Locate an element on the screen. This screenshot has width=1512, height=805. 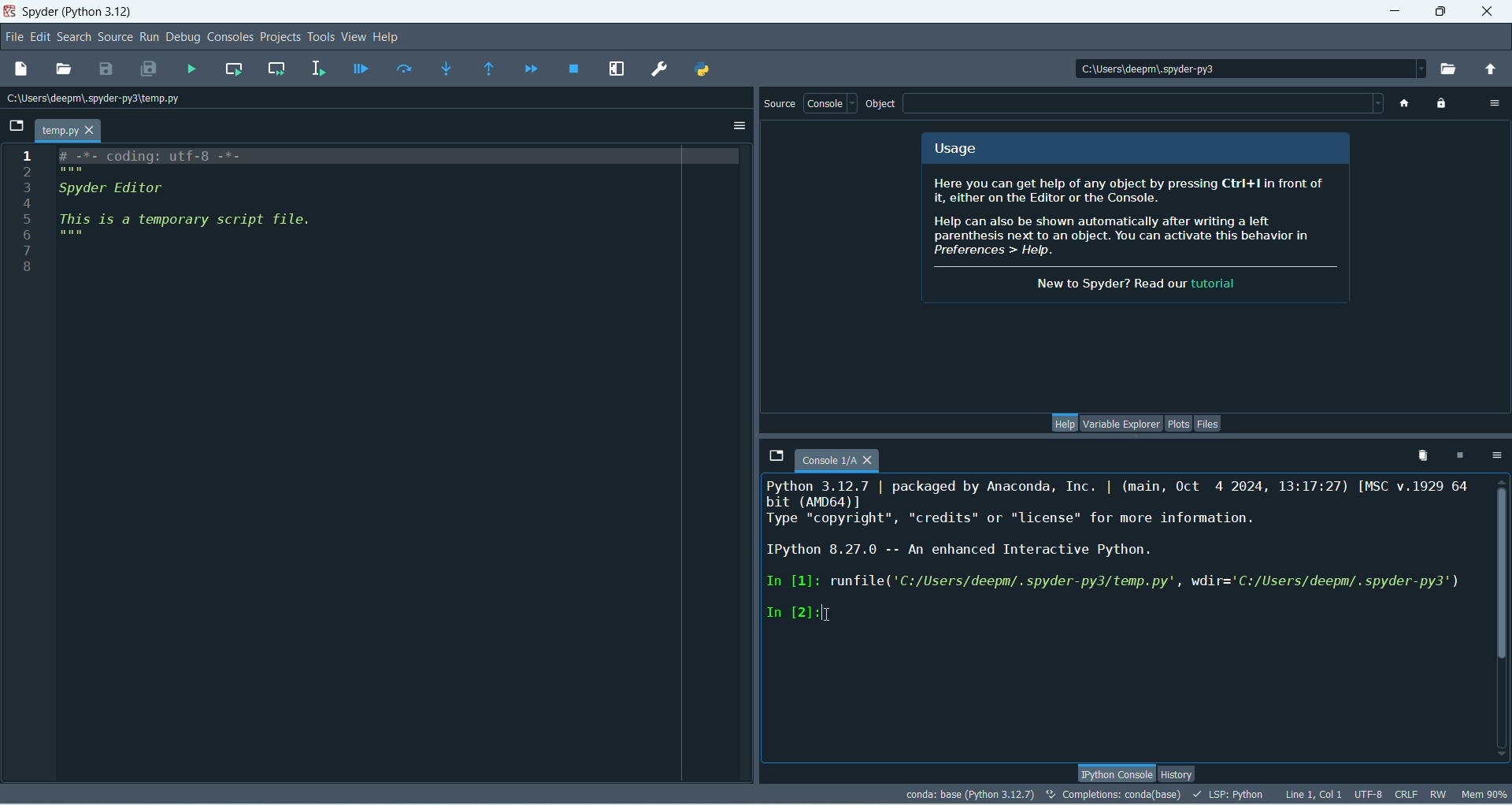
conda:base is located at coordinates (969, 794).